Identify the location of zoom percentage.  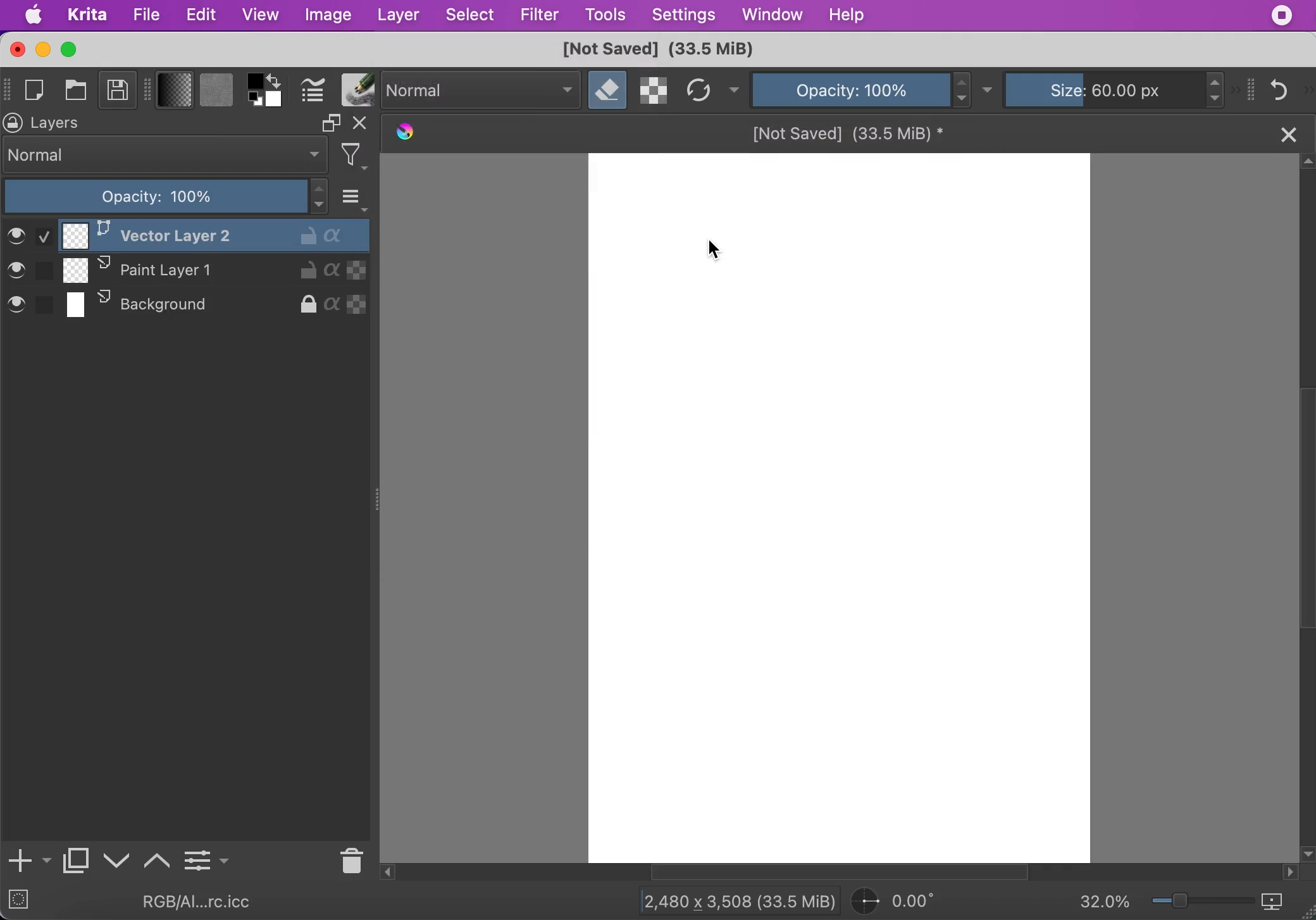
(1105, 903).